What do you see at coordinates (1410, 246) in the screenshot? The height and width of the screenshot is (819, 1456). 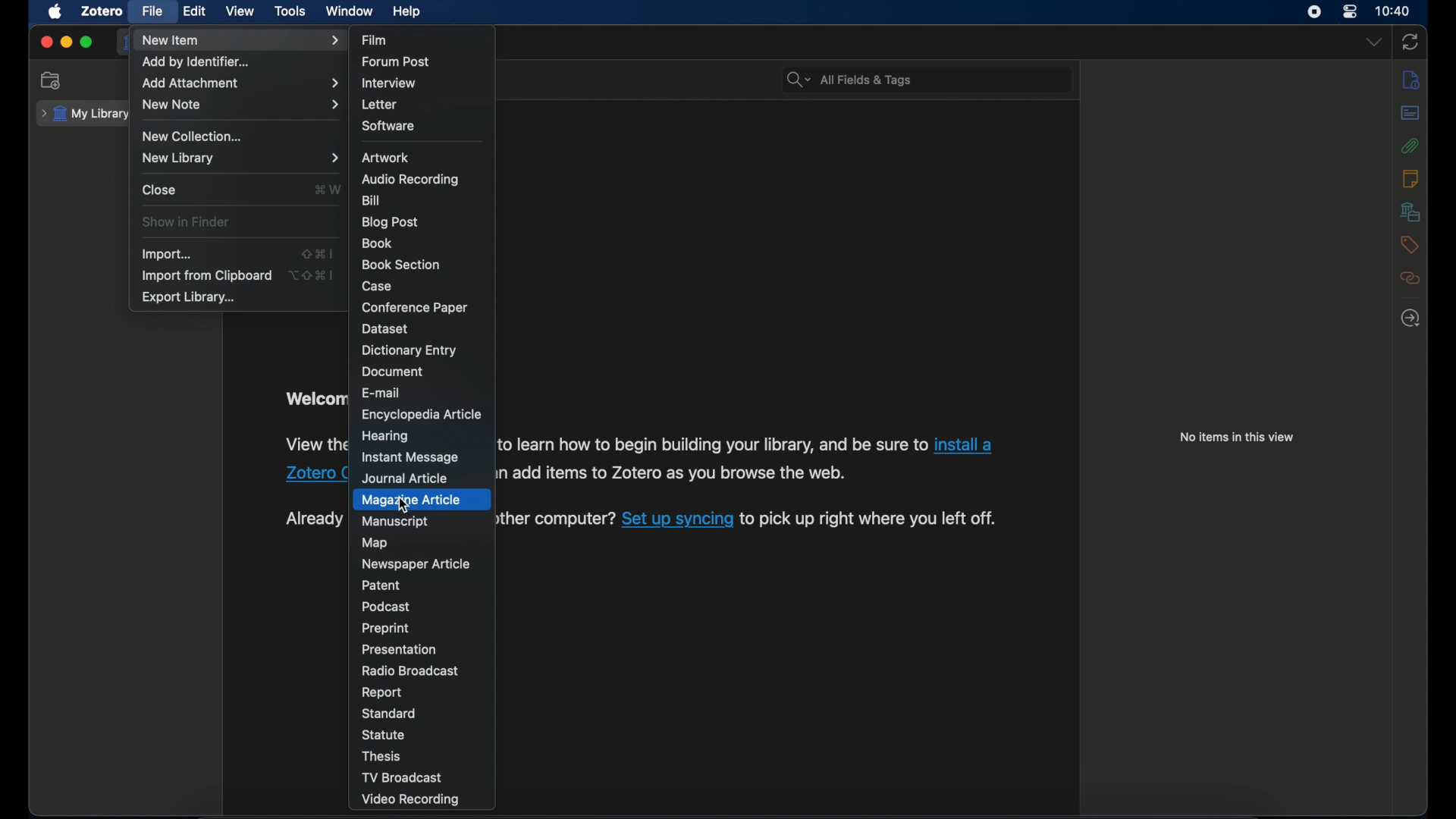 I see `tags` at bounding box center [1410, 246].